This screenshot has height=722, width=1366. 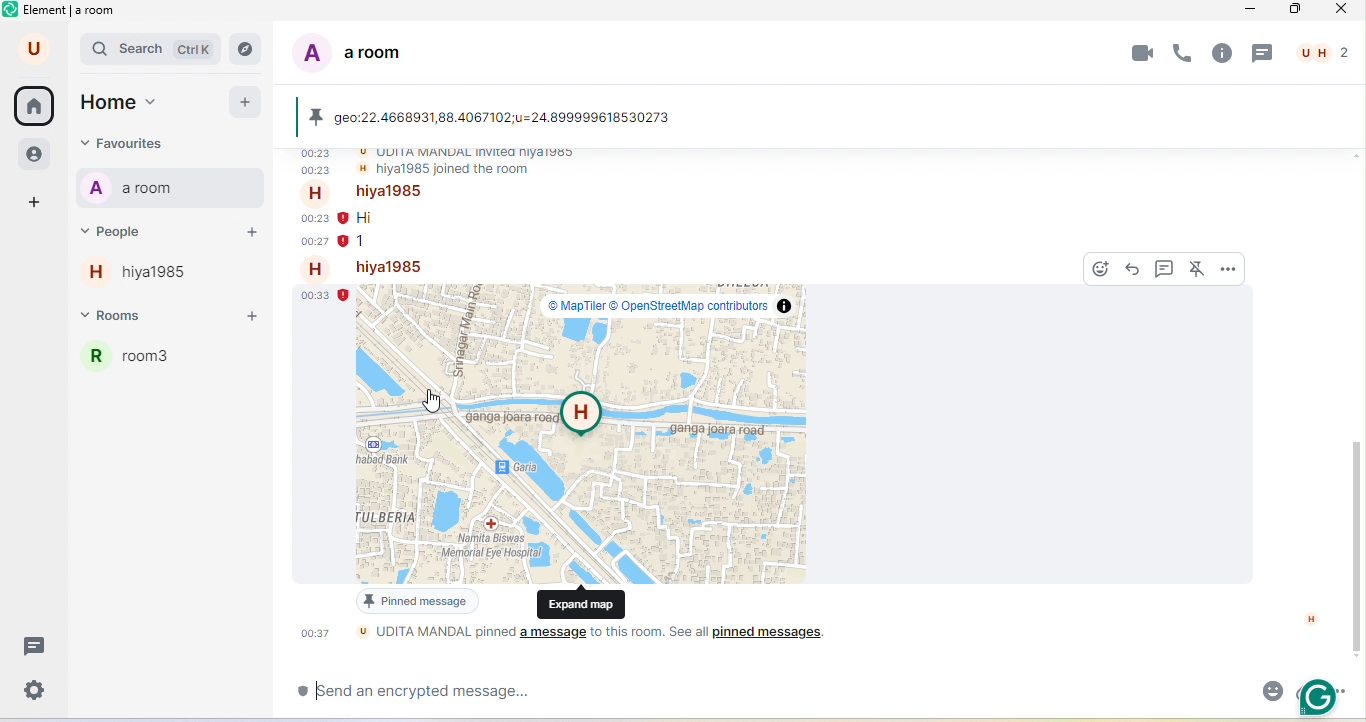 What do you see at coordinates (436, 403) in the screenshot?
I see `cursor` at bounding box center [436, 403].